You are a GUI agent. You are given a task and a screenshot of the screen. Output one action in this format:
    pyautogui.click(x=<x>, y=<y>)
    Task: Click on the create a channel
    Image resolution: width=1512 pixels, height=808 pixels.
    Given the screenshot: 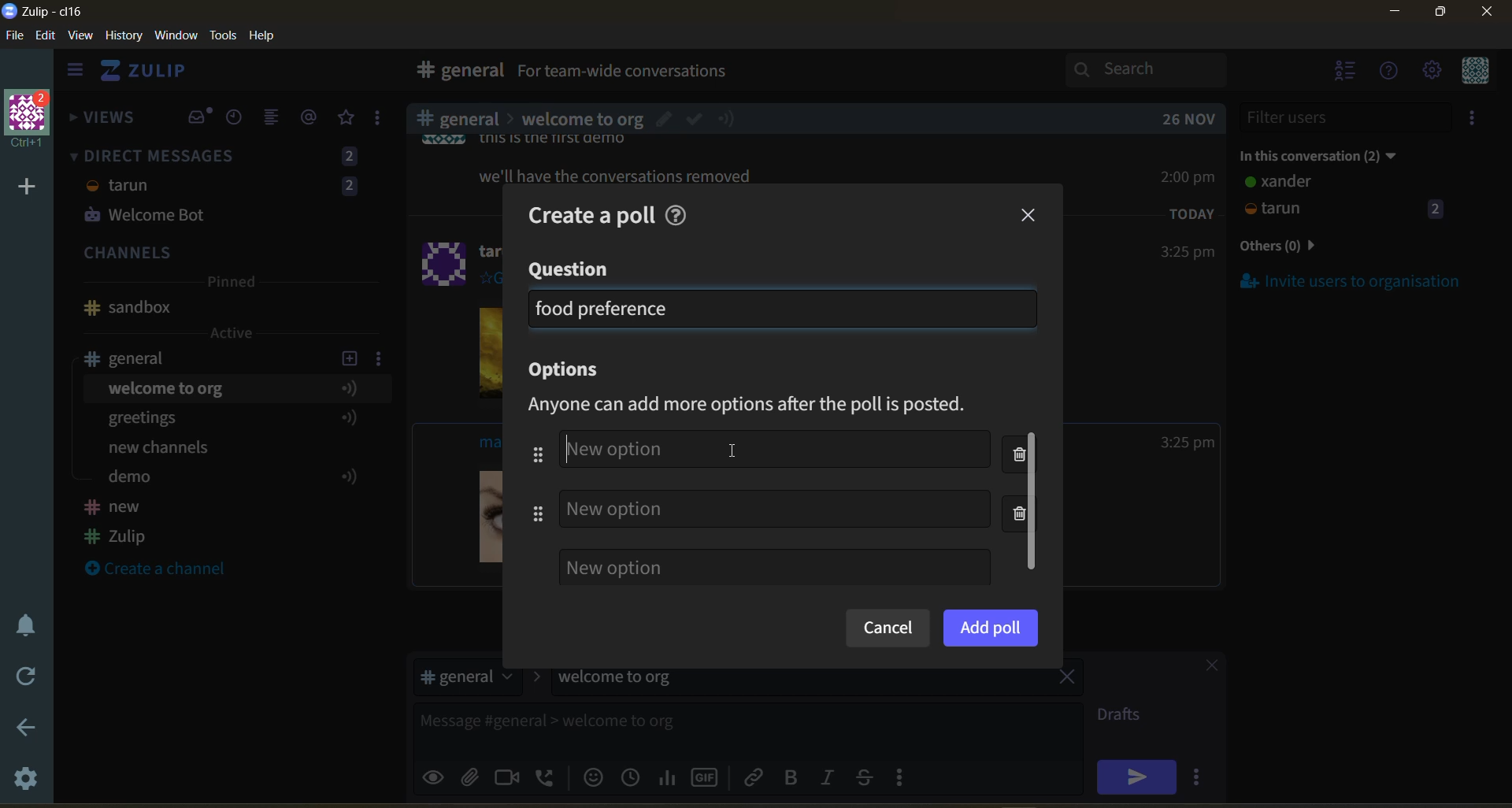 What is the action you would take?
    pyautogui.click(x=165, y=570)
    